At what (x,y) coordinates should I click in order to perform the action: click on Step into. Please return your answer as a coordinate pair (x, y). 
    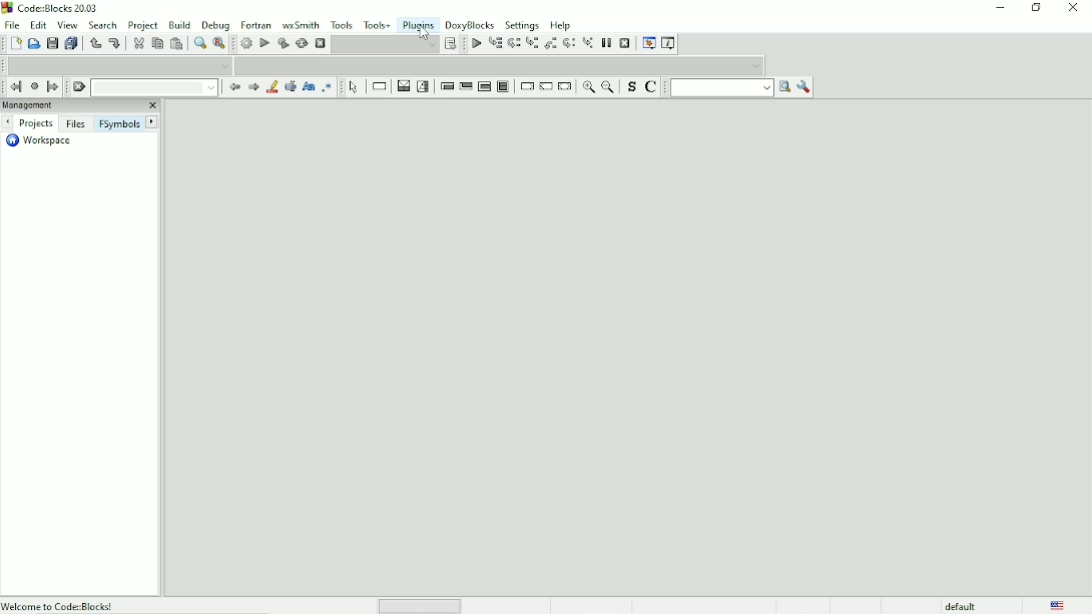
    Looking at the image, I should click on (532, 44).